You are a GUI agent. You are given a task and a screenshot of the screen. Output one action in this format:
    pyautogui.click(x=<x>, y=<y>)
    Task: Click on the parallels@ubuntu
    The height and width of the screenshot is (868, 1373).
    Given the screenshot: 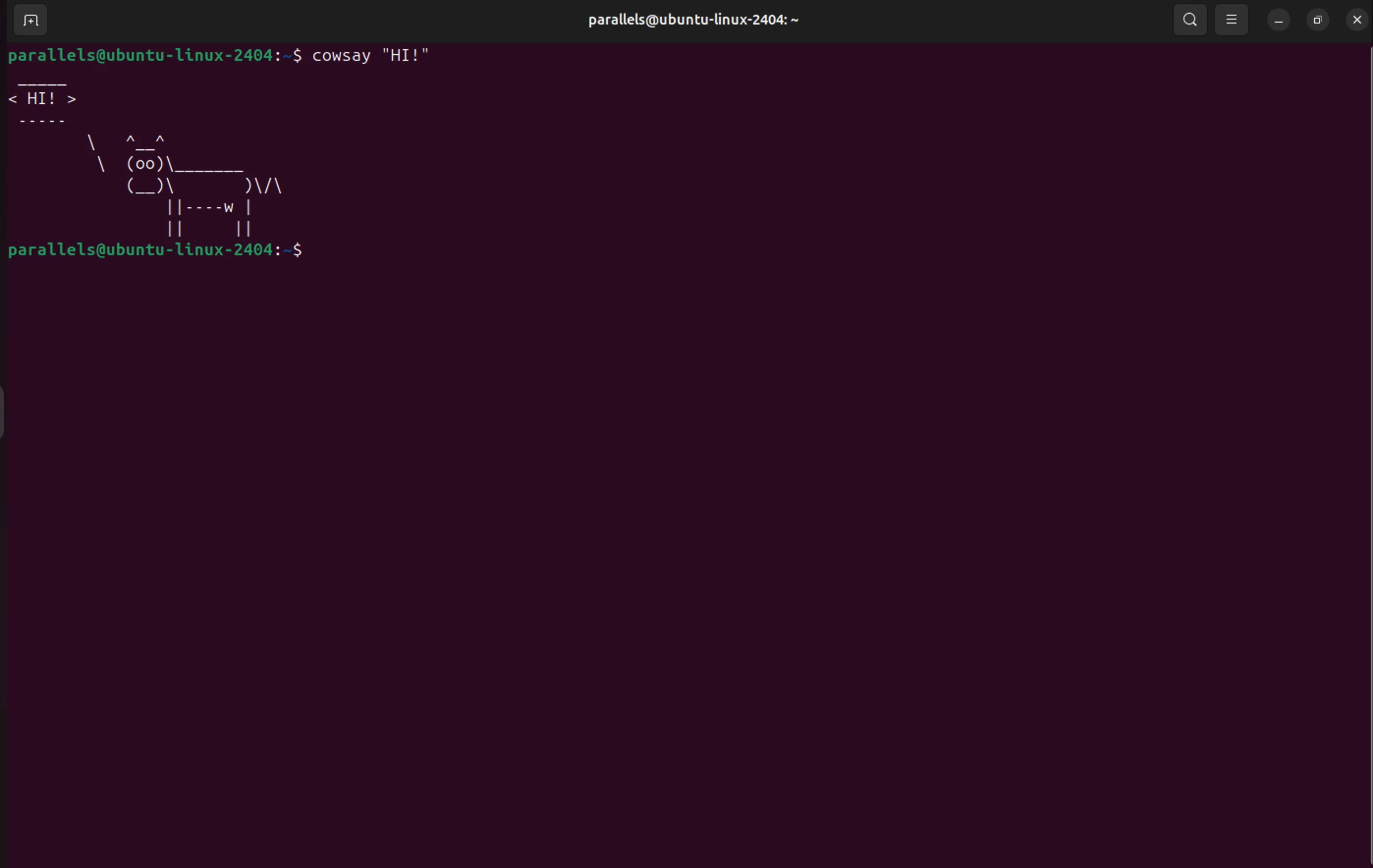 What is the action you would take?
    pyautogui.click(x=686, y=23)
    